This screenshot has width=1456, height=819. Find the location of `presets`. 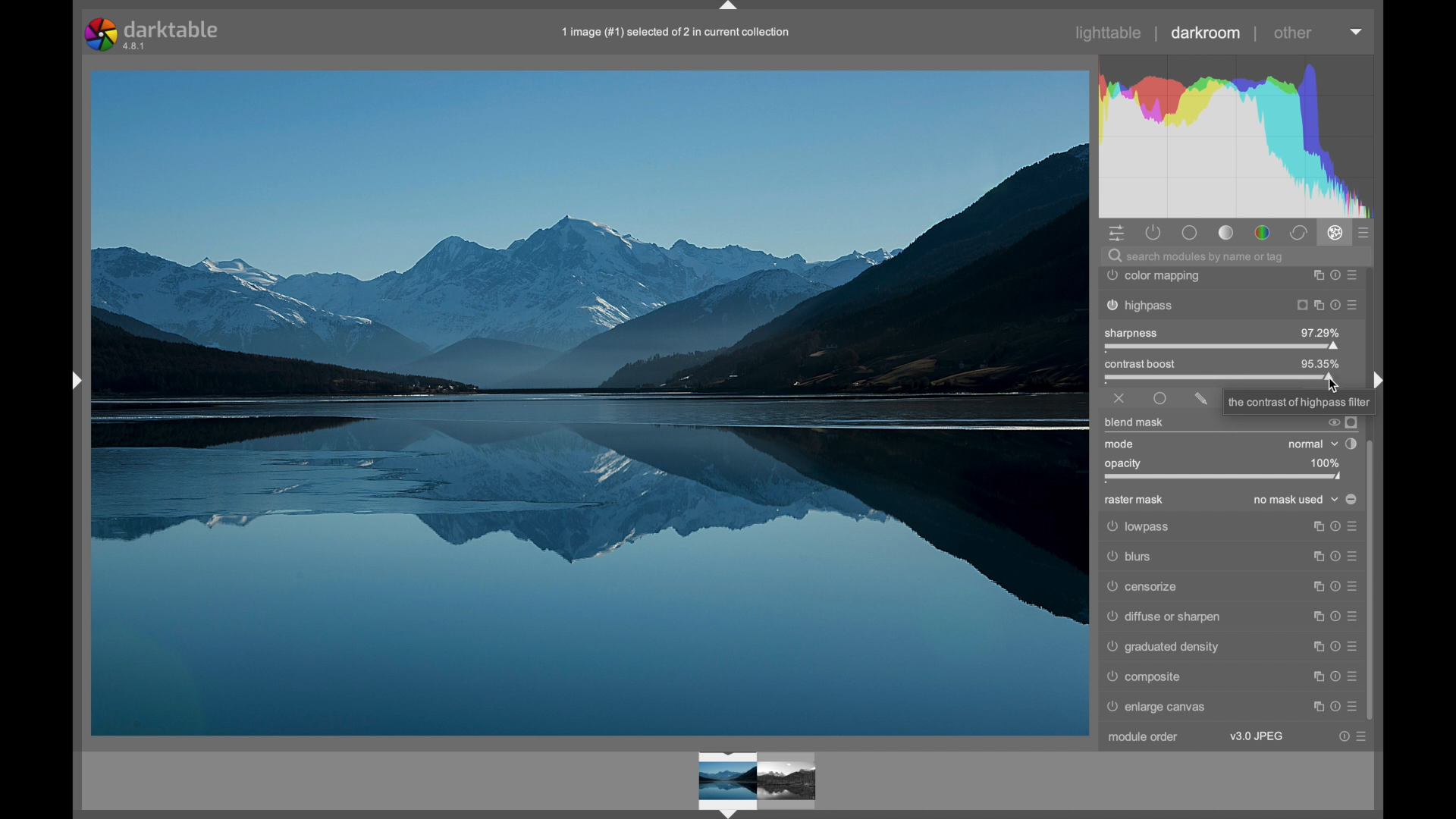

presets is located at coordinates (1364, 234).